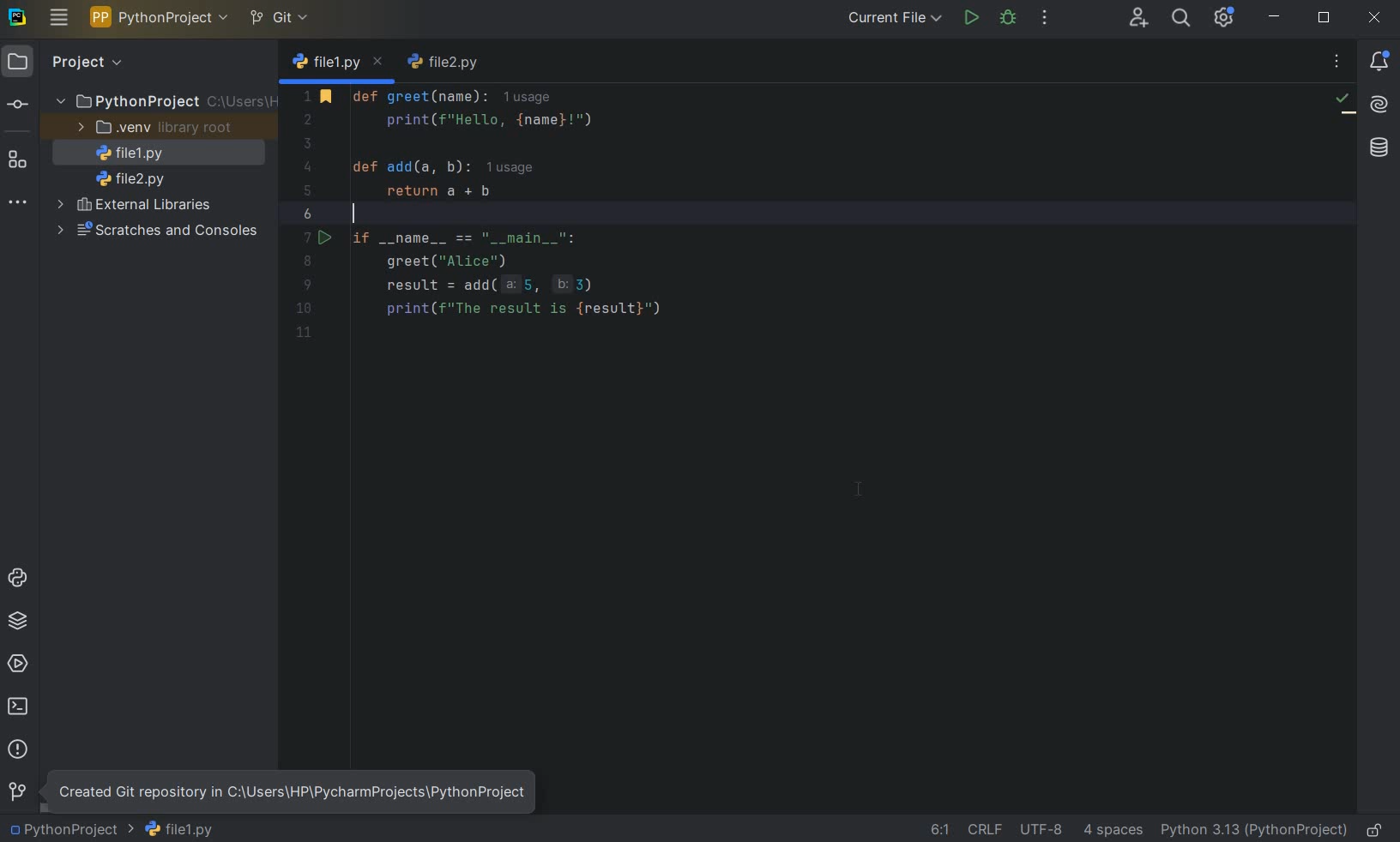 This screenshot has width=1400, height=842. What do you see at coordinates (1115, 830) in the screenshot?
I see `indent` at bounding box center [1115, 830].